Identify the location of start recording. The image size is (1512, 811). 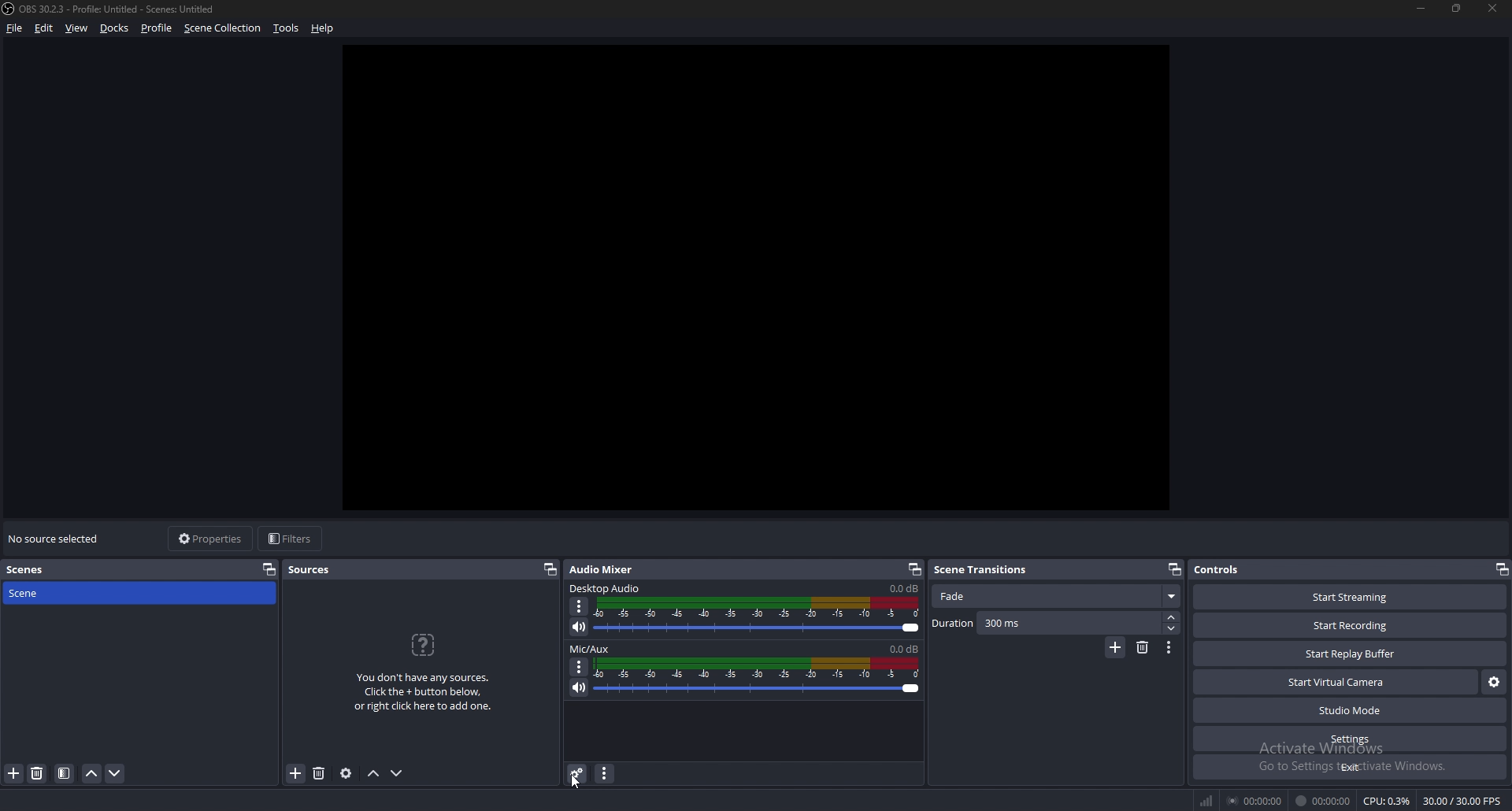
(1352, 624).